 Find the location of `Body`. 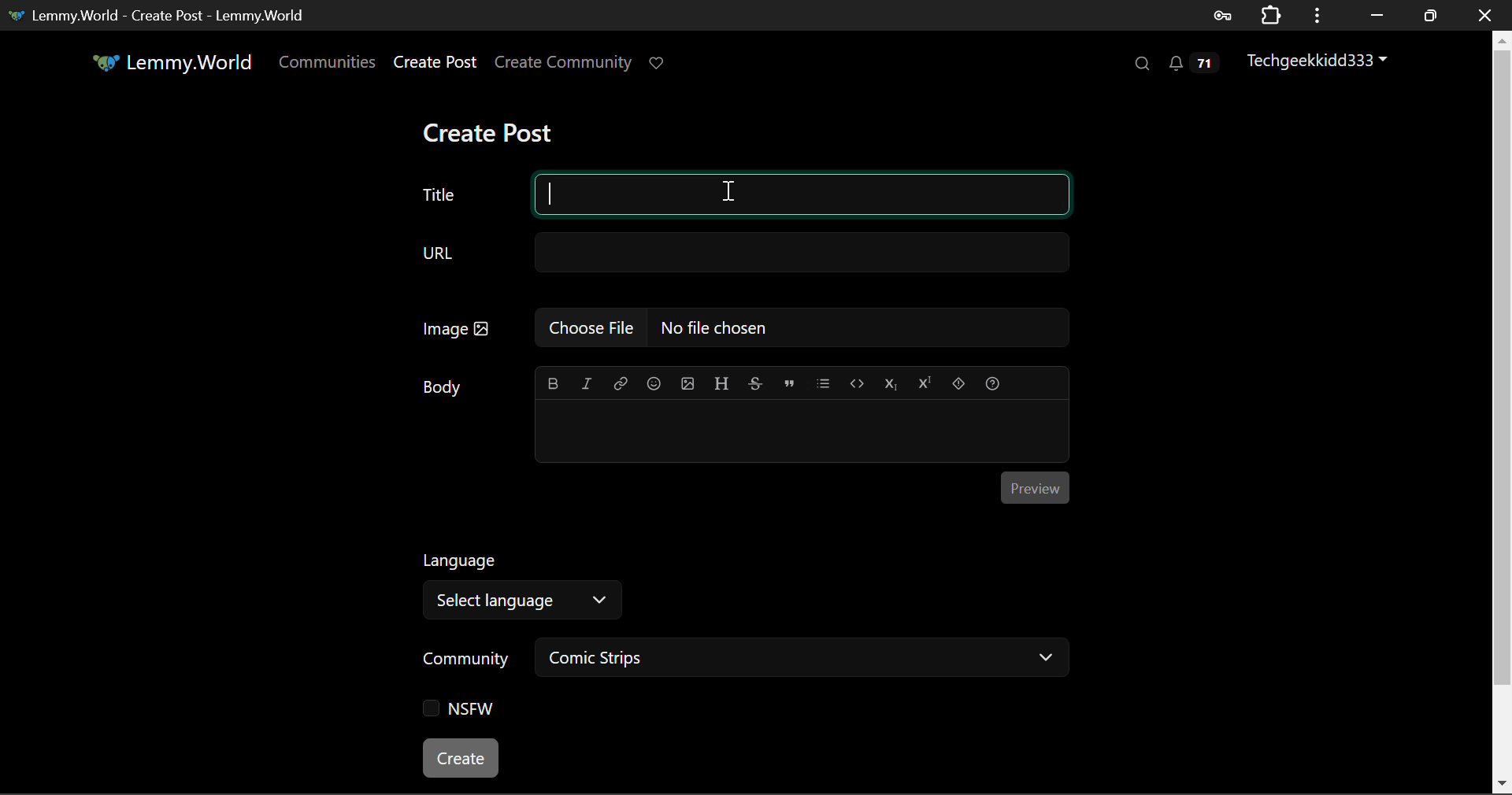

Body is located at coordinates (443, 384).